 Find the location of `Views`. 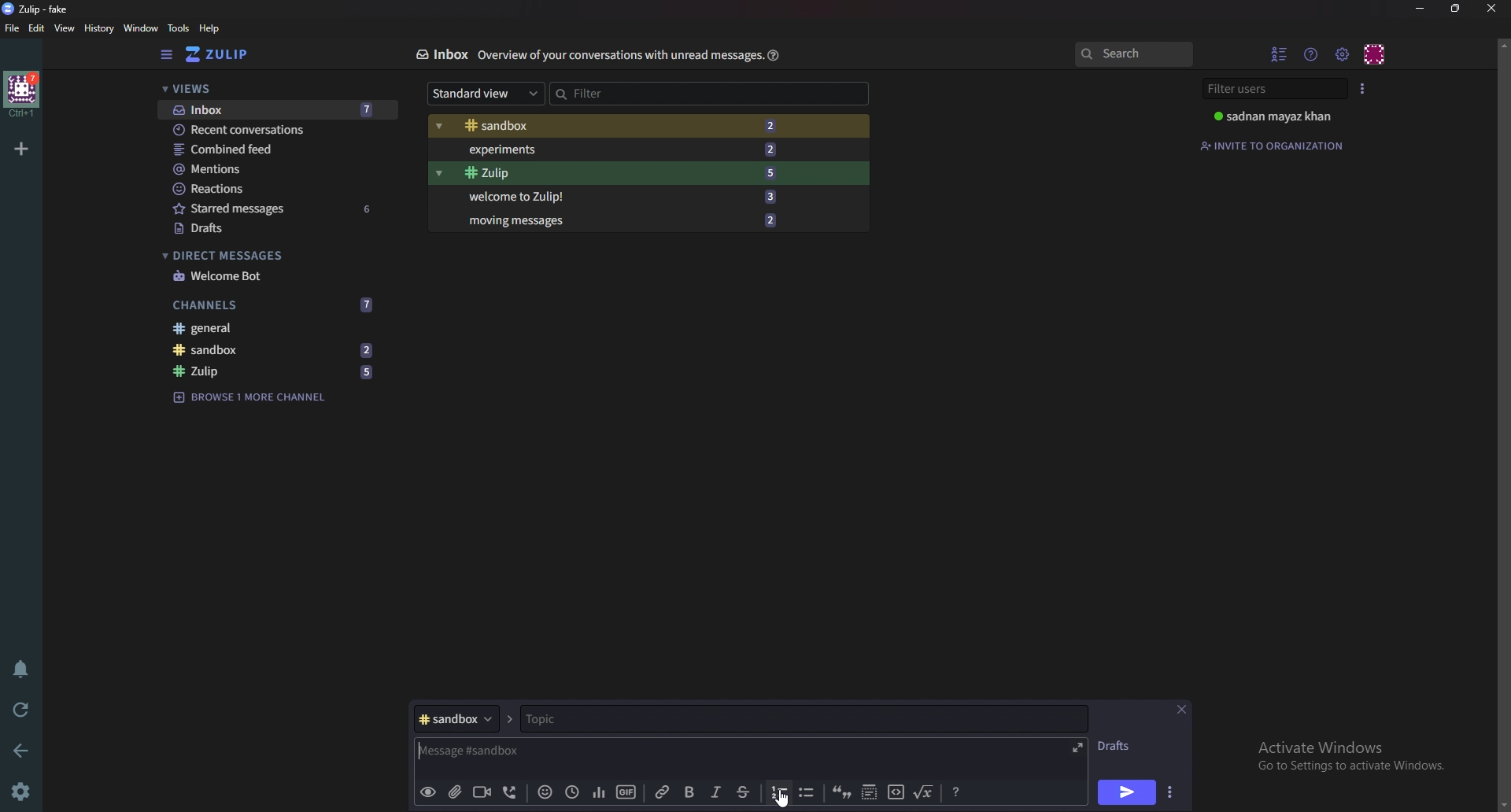

Views is located at coordinates (269, 90).